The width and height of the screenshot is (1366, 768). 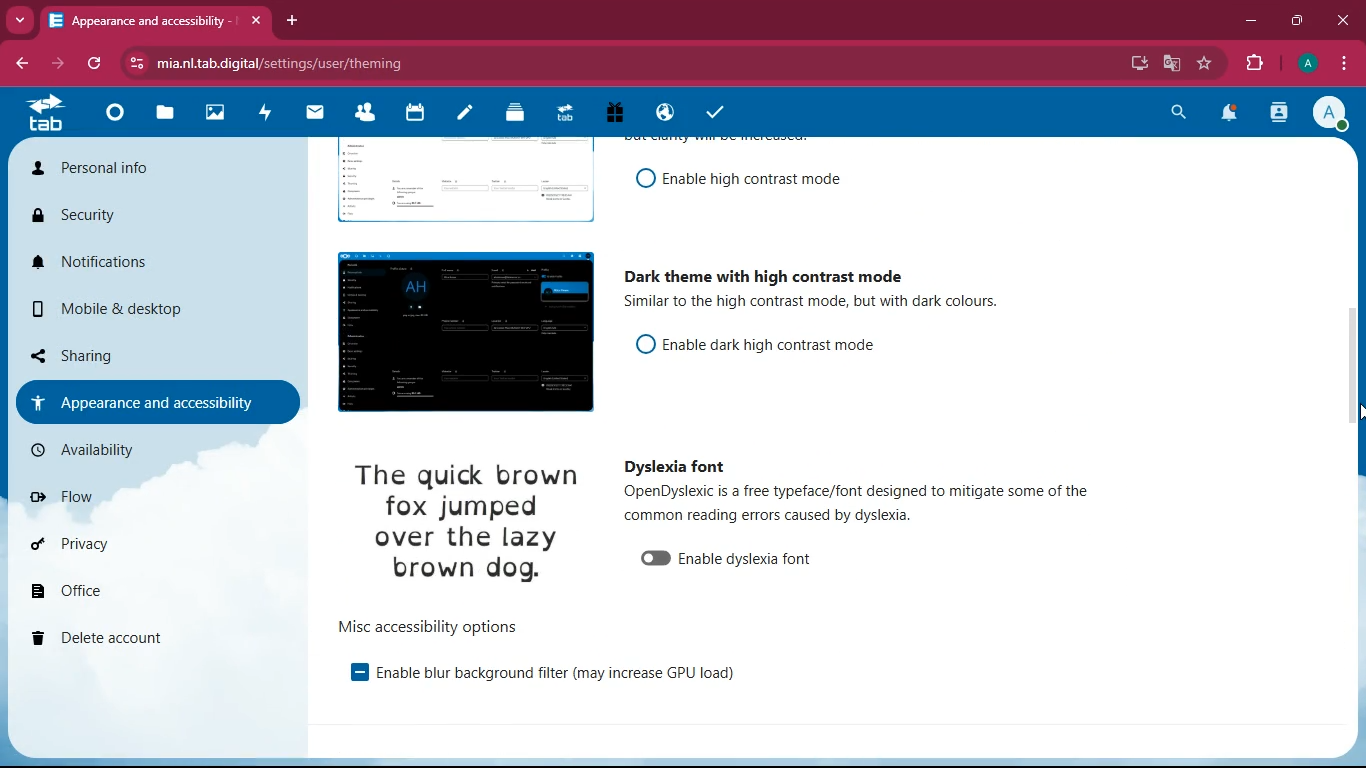 I want to click on on/off, so click(x=650, y=559).